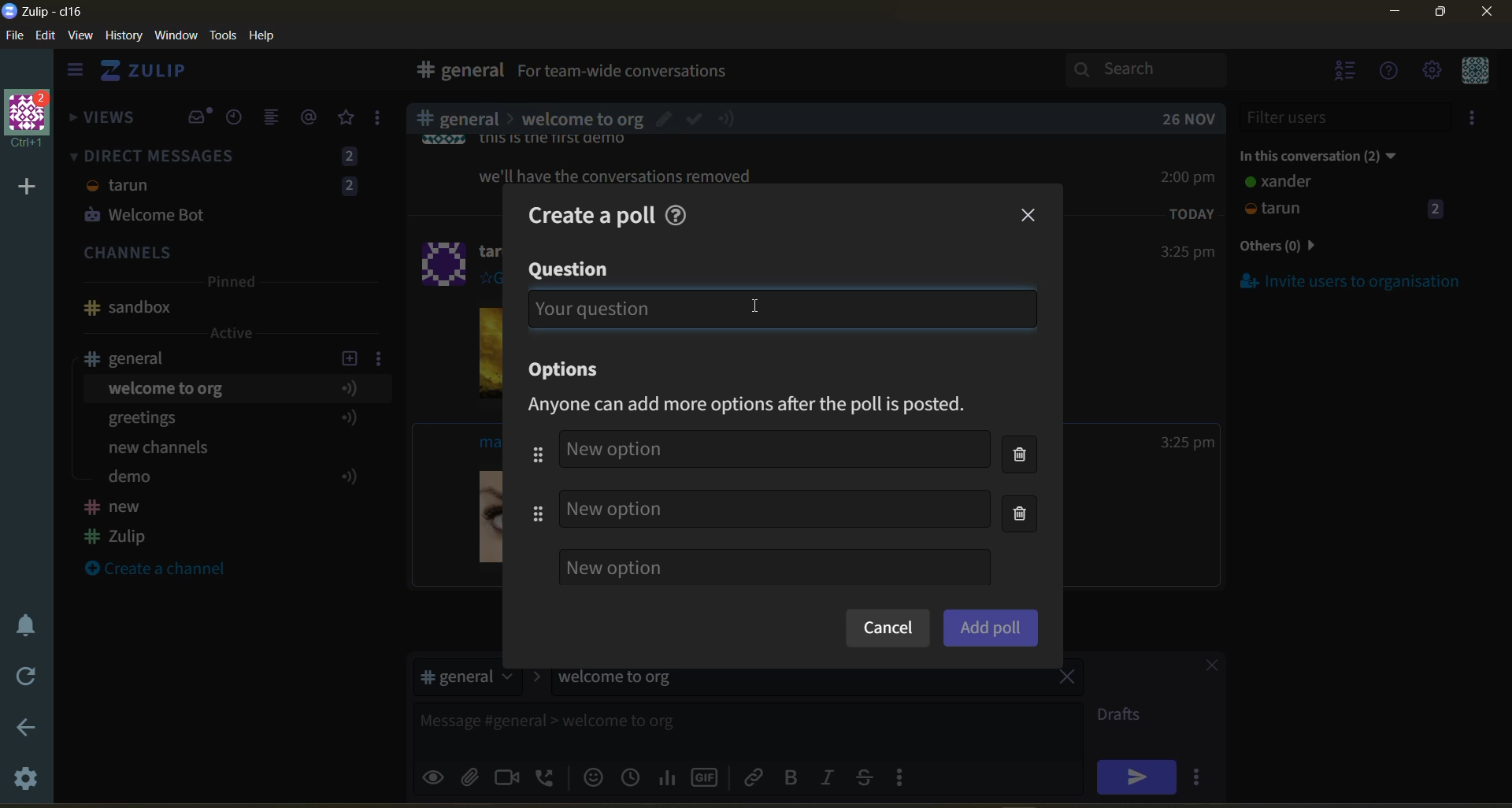 This screenshot has width=1512, height=808. Describe the element at coordinates (1346, 198) in the screenshot. I see `users and status` at that location.